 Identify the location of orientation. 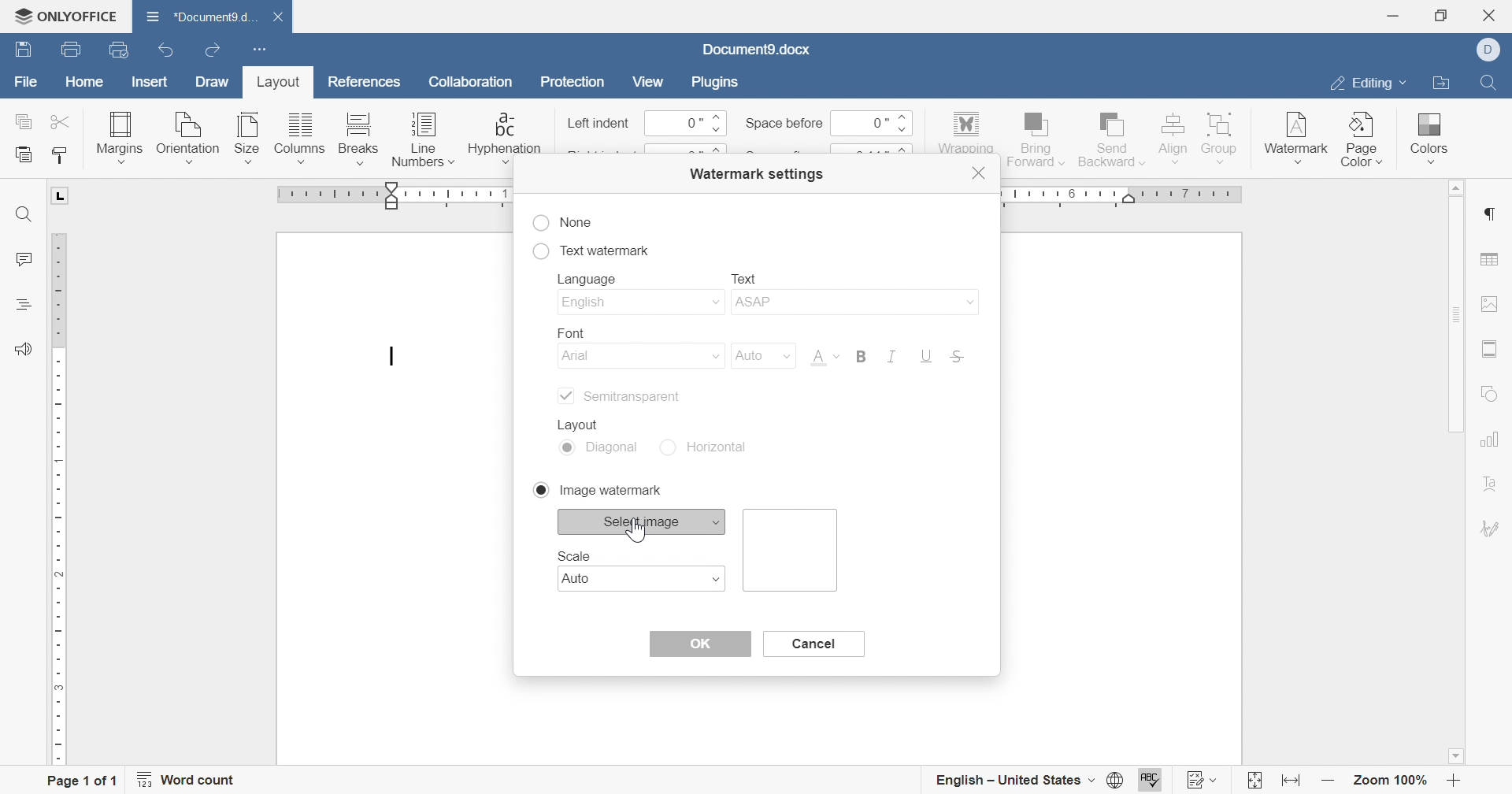
(187, 139).